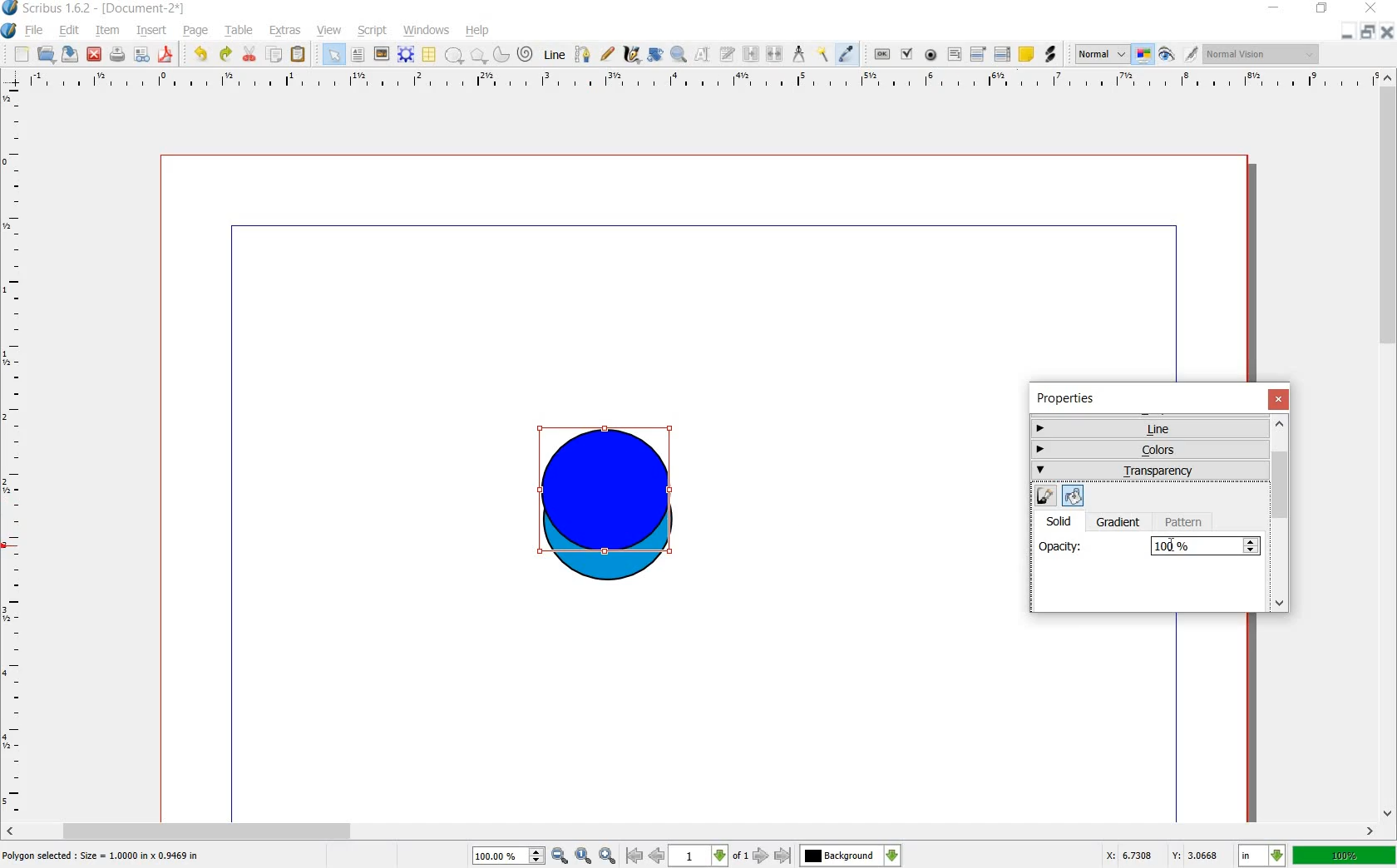  I want to click on save, so click(70, 54).